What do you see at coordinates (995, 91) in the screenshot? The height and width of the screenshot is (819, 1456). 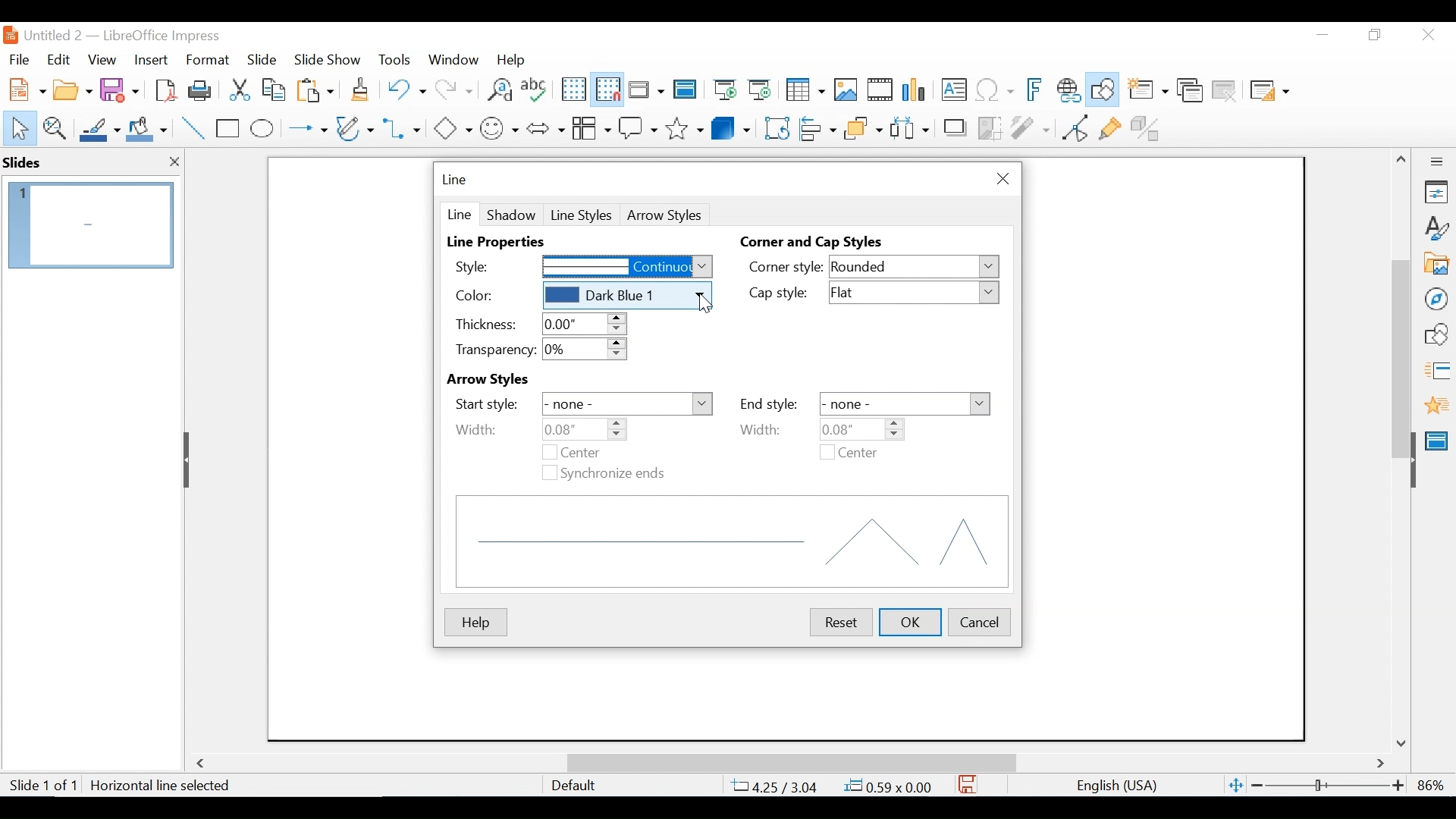 I see `Insert Special Characters` at bounding box center [995, 91].